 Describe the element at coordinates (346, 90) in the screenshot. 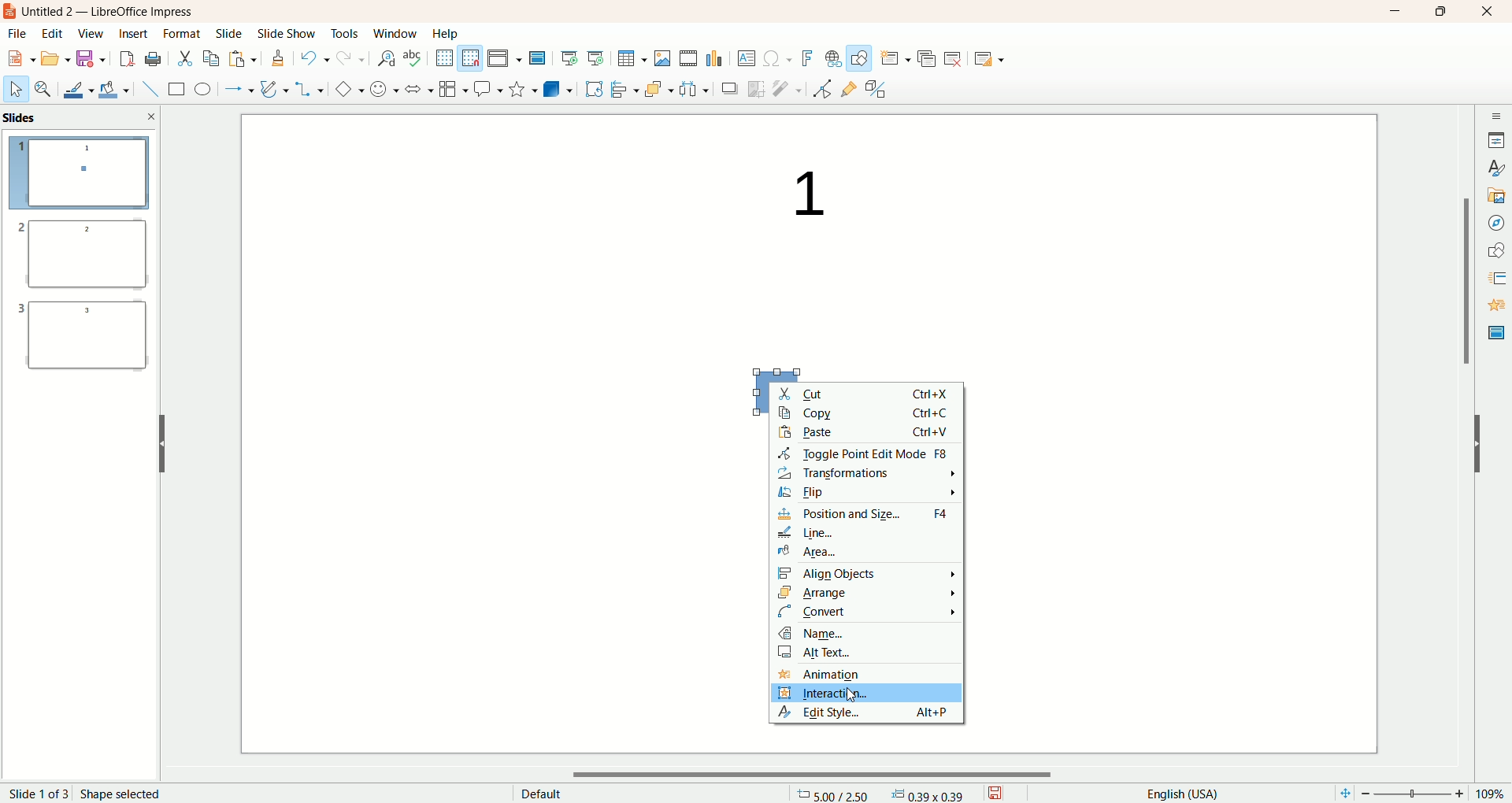

I see `basic shapes` at that location.